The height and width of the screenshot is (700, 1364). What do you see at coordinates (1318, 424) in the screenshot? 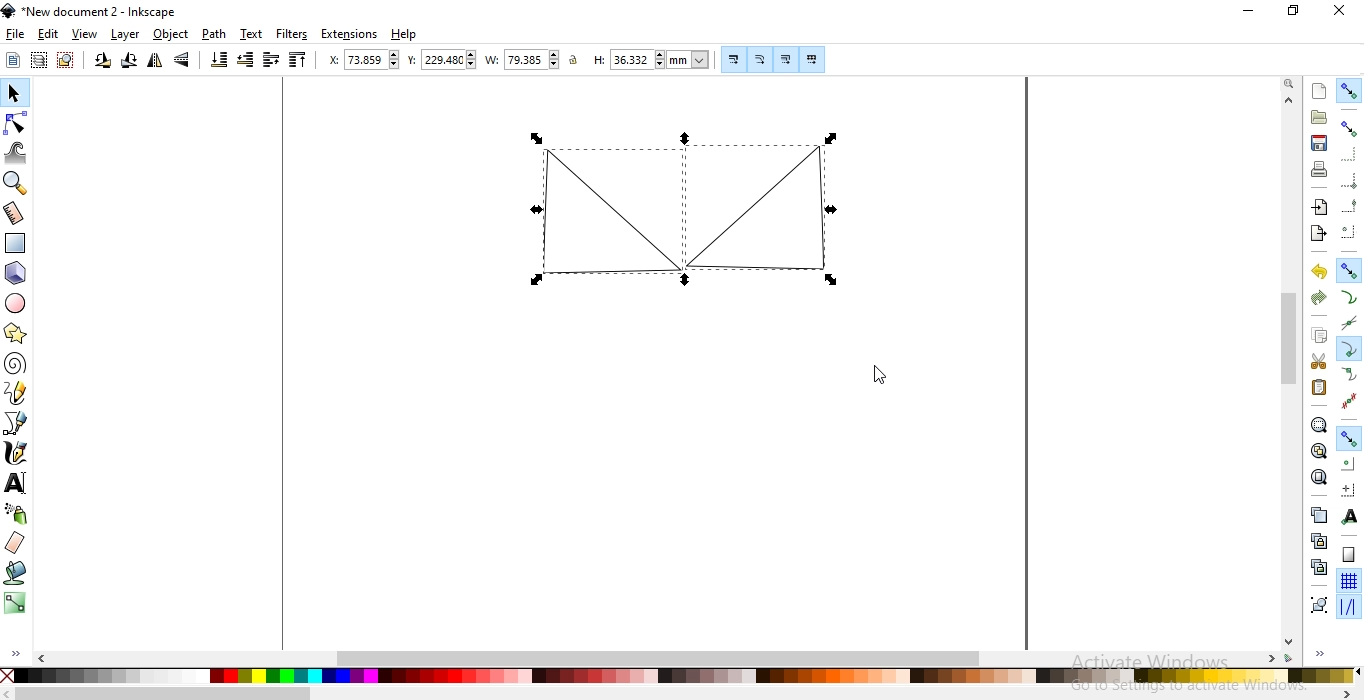
I see `zoom to fit selection` at bounding box center [1318, 424].